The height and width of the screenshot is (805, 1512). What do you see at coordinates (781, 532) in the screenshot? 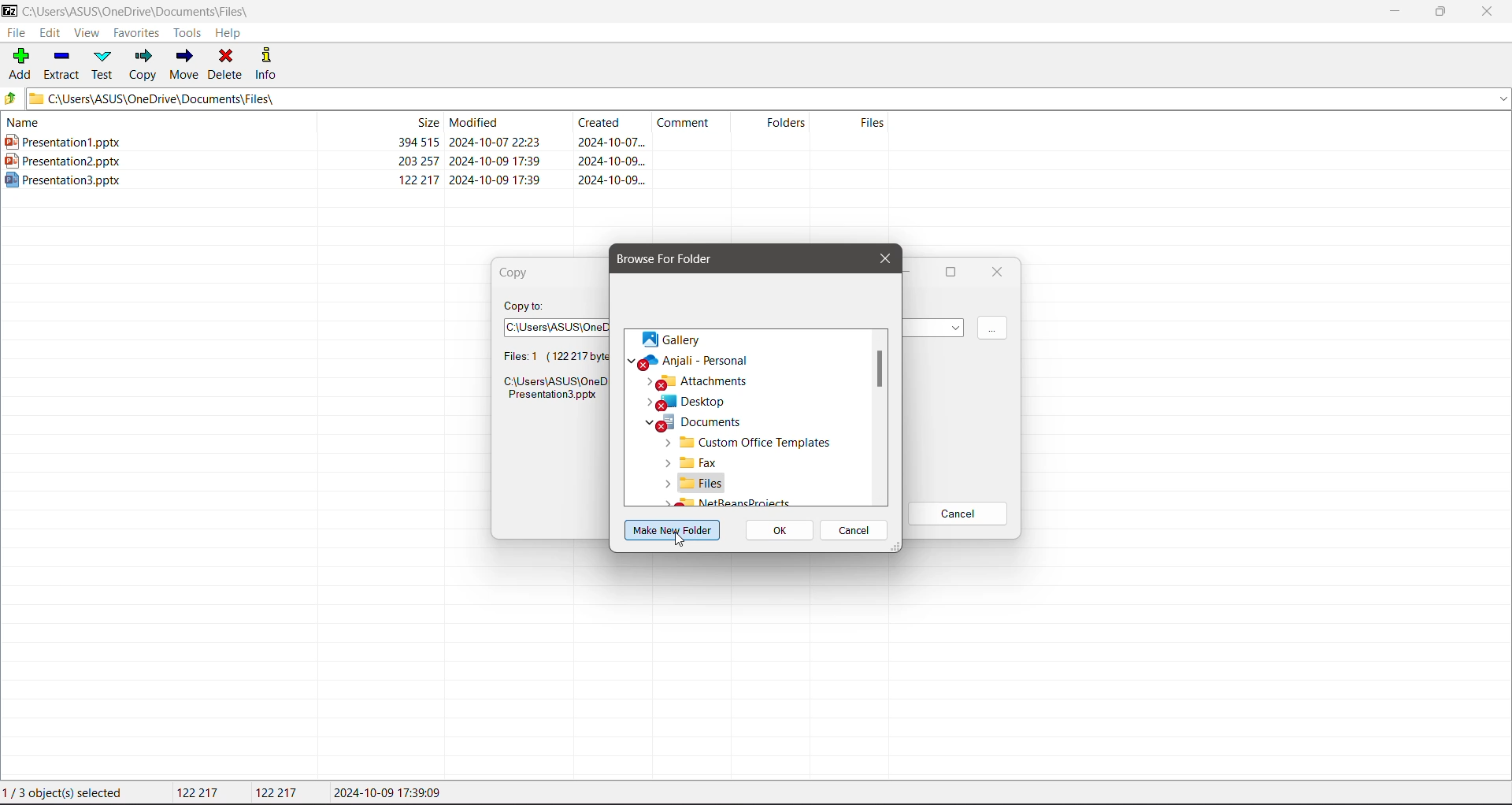
I see `OK` at bounding box center [781, 532].